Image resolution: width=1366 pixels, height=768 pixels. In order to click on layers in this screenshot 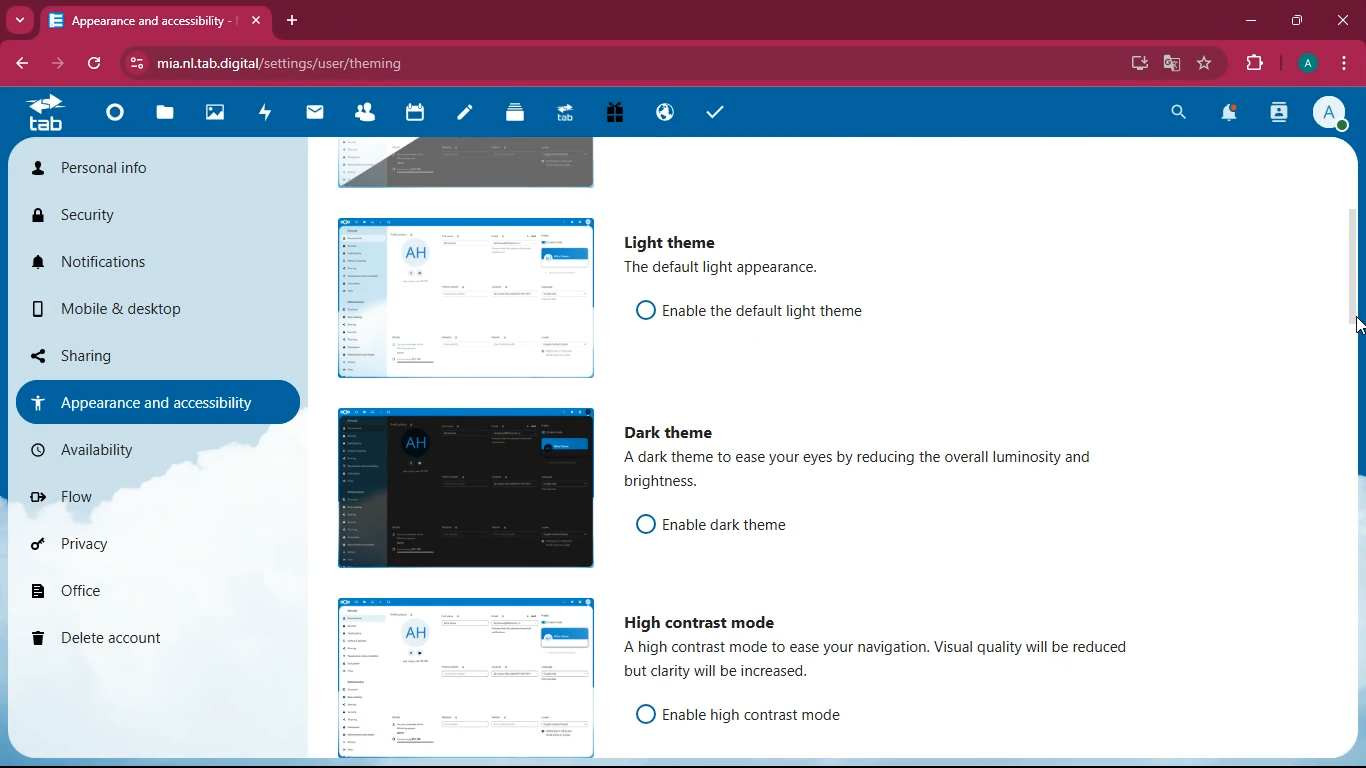, I will do `click(511, 115)`.